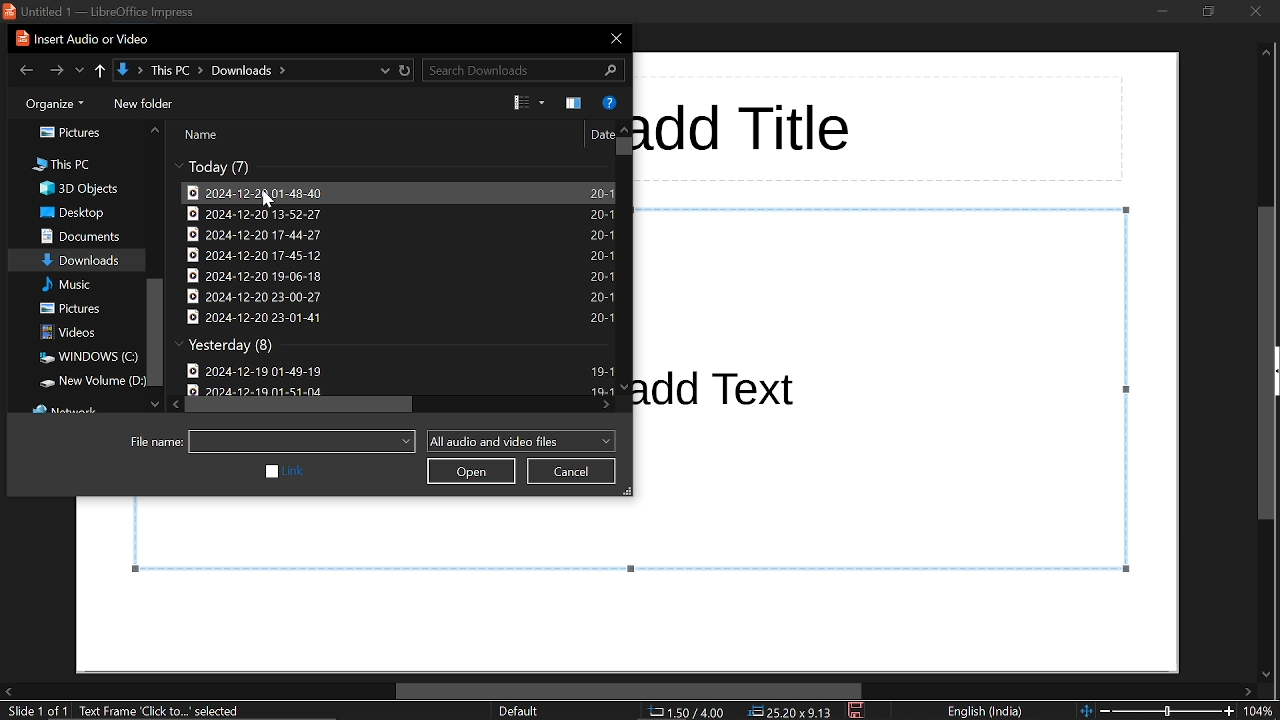  Describe the element at coordinates (1269, 670) in the screenshot. I see `move down` at that location.